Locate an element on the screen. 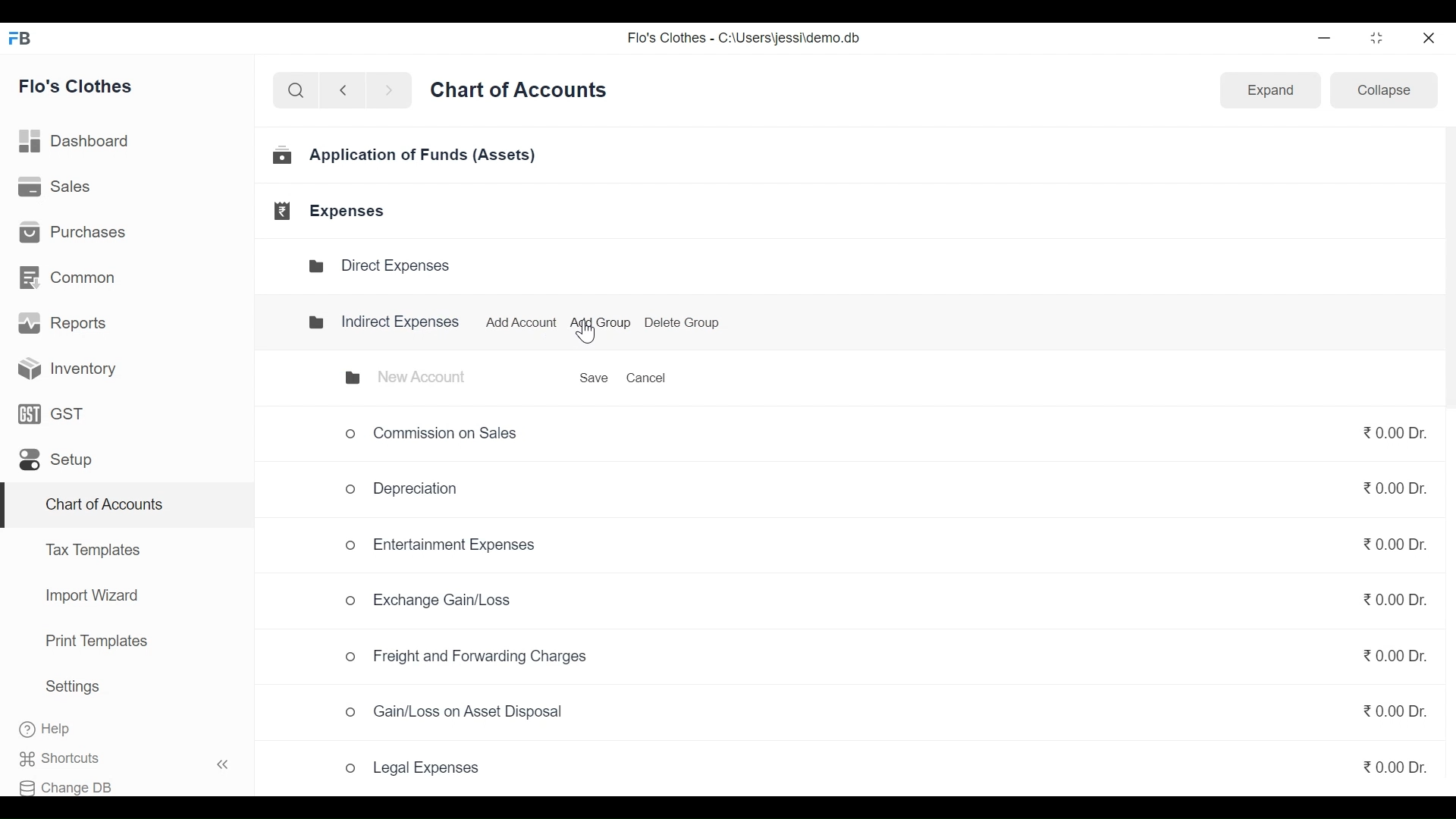 This screenshot has width=1456, height=819. Setup is located at coordinates (55, 463).